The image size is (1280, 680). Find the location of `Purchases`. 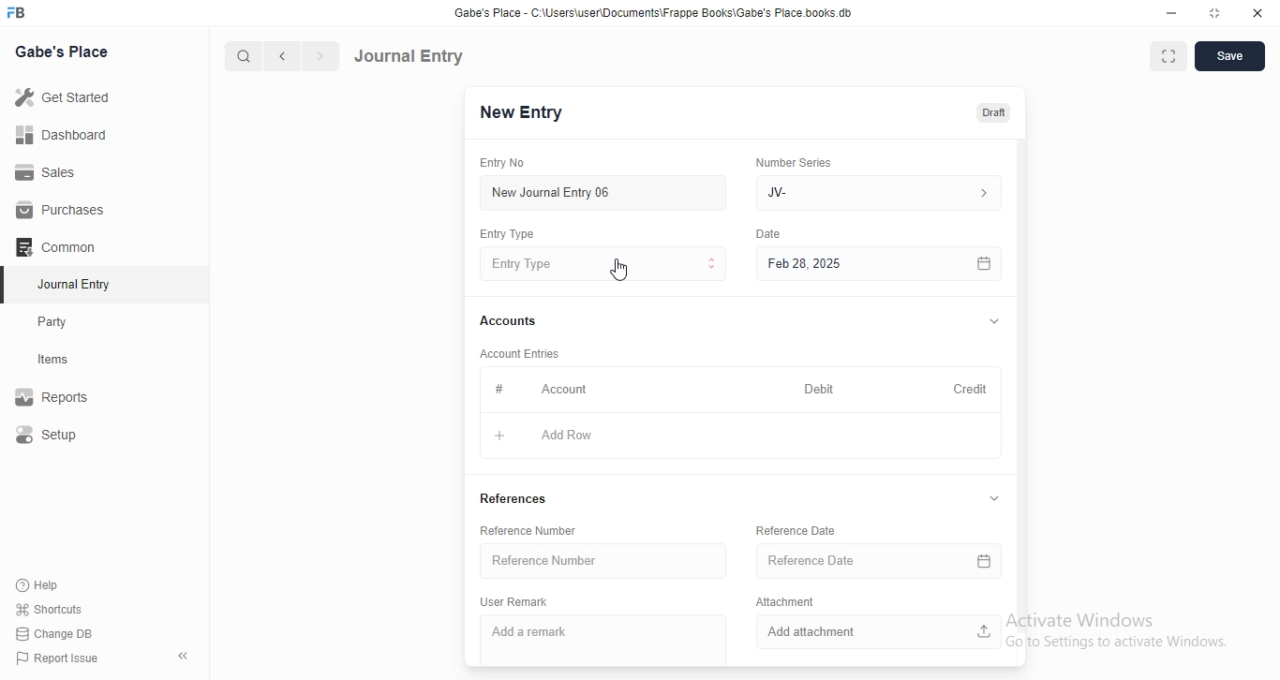

Purchases is located at coordinates (63, 210).